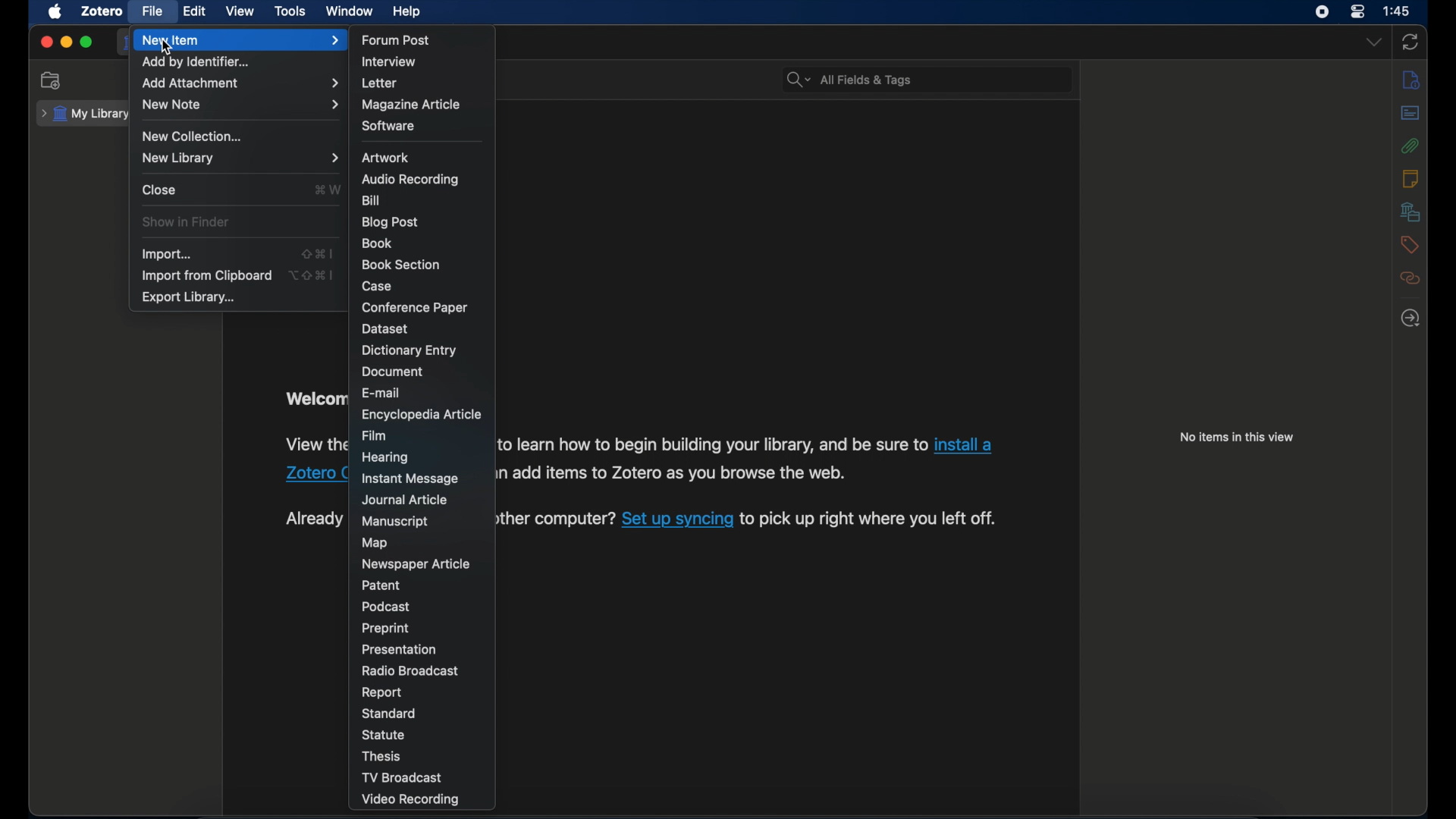  Describe the element at coordinates (409, 478) in the screenshot. I see `instant message` at that location.